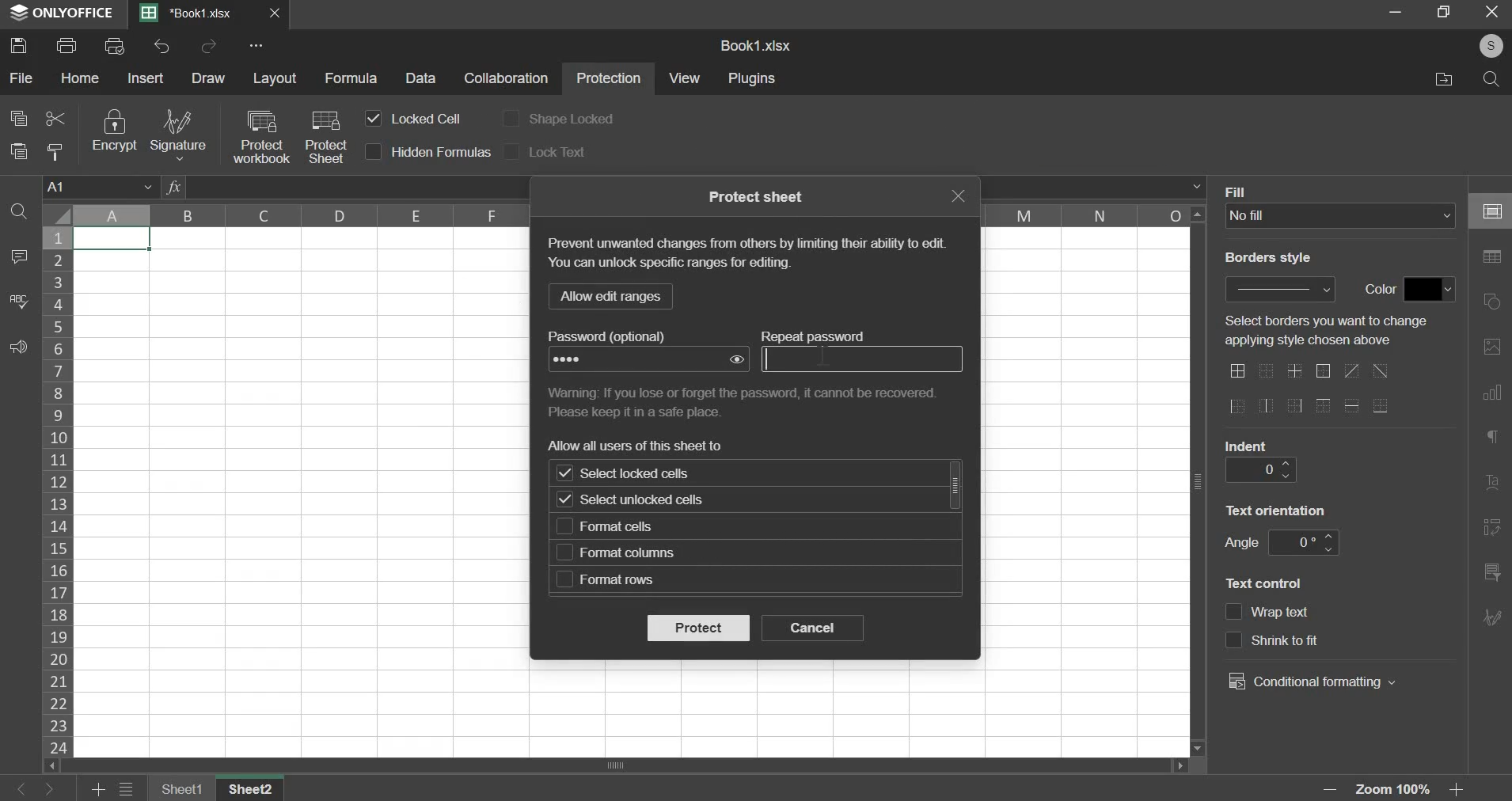 The width and height of the screenshot is (1512, 801). What do you see at coordinates (1322, 372) in the screenshot?
I see `border options` at bounding box center [1322, 372].